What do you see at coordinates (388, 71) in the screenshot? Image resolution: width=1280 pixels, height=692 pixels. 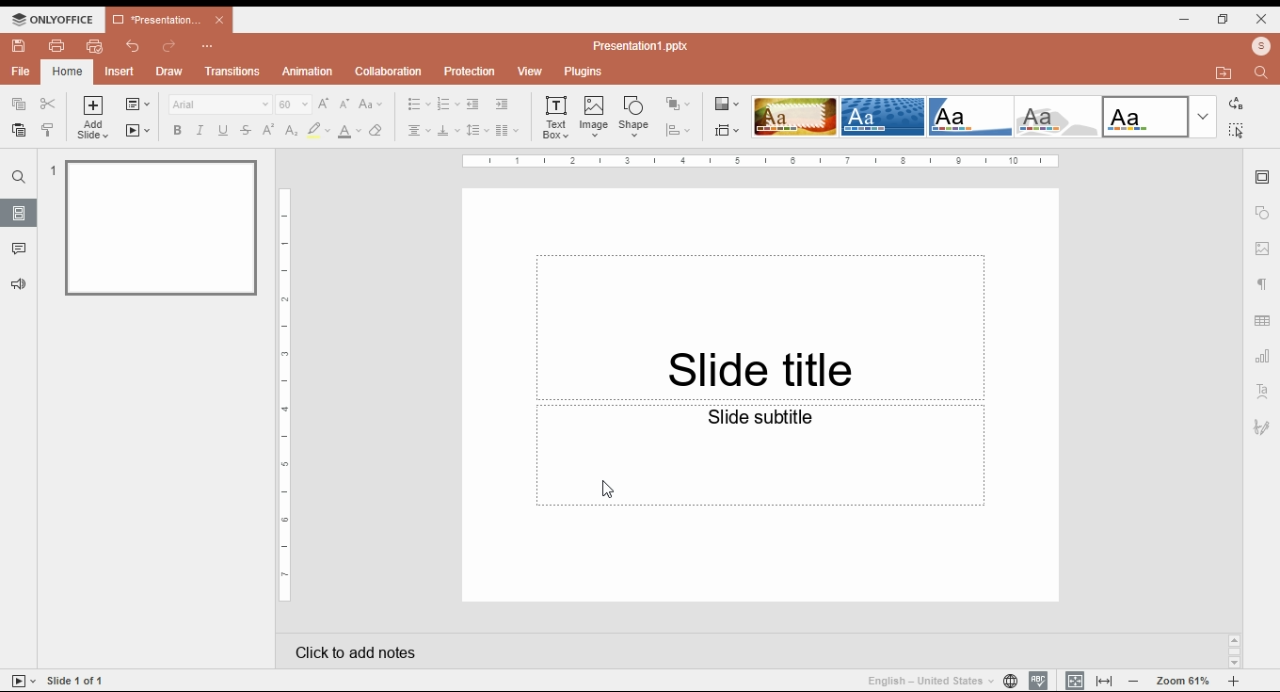 I see `collaboration` at bounding box center [388, 71].